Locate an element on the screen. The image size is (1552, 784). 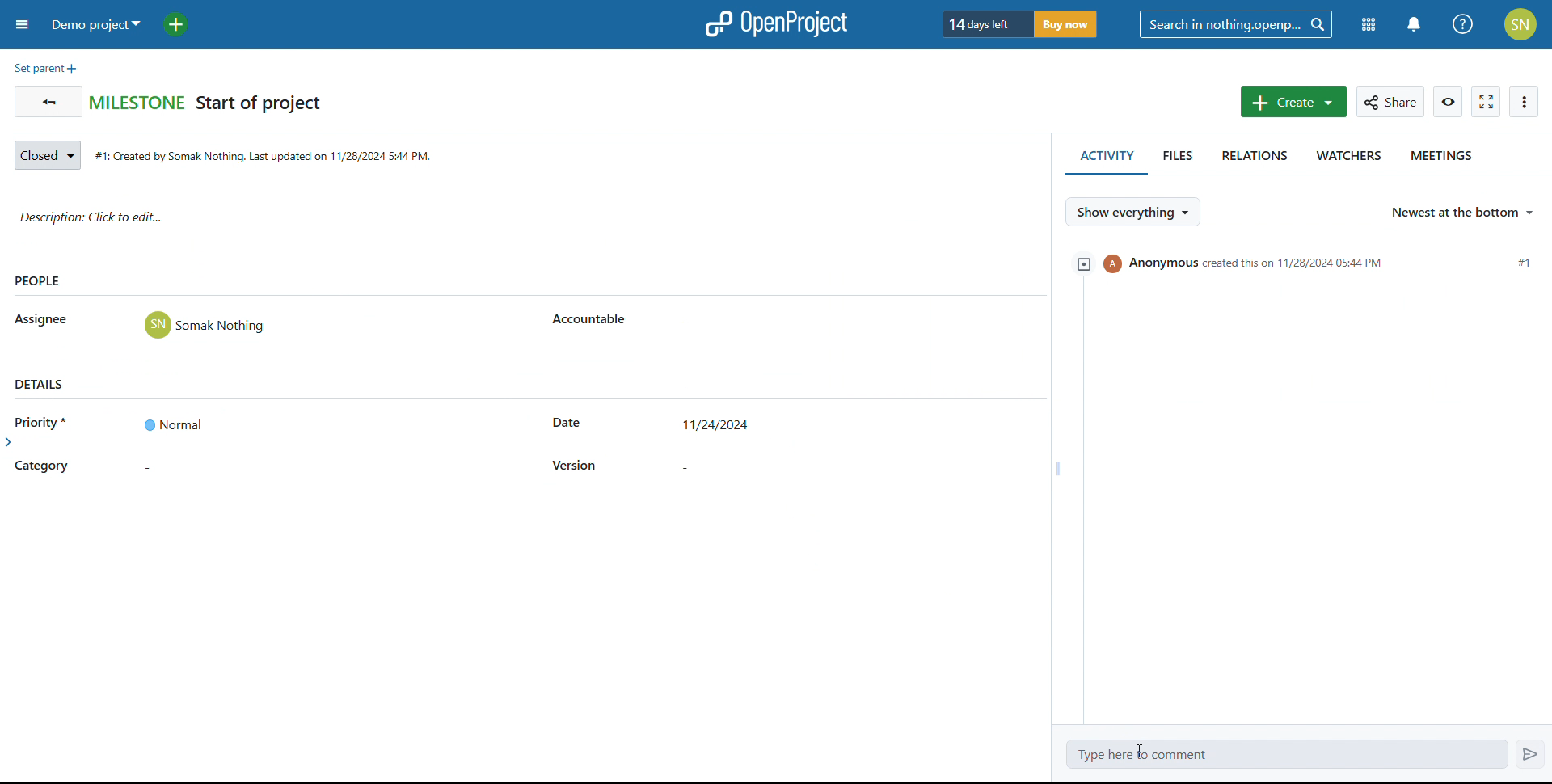
modules is located at coordinates (1366, 26).